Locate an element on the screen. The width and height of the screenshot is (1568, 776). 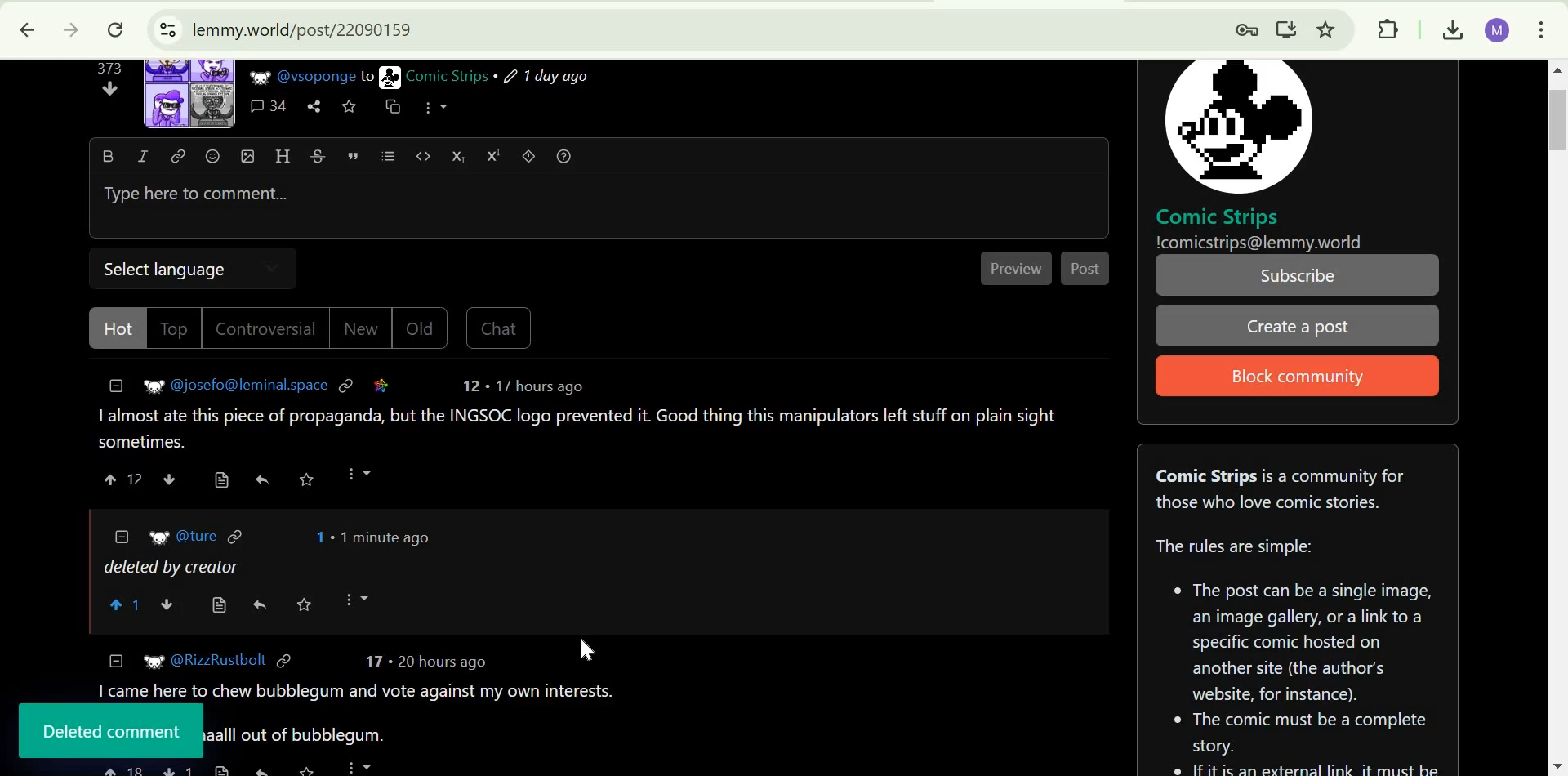
upvote is located at coordinates (122, 769).